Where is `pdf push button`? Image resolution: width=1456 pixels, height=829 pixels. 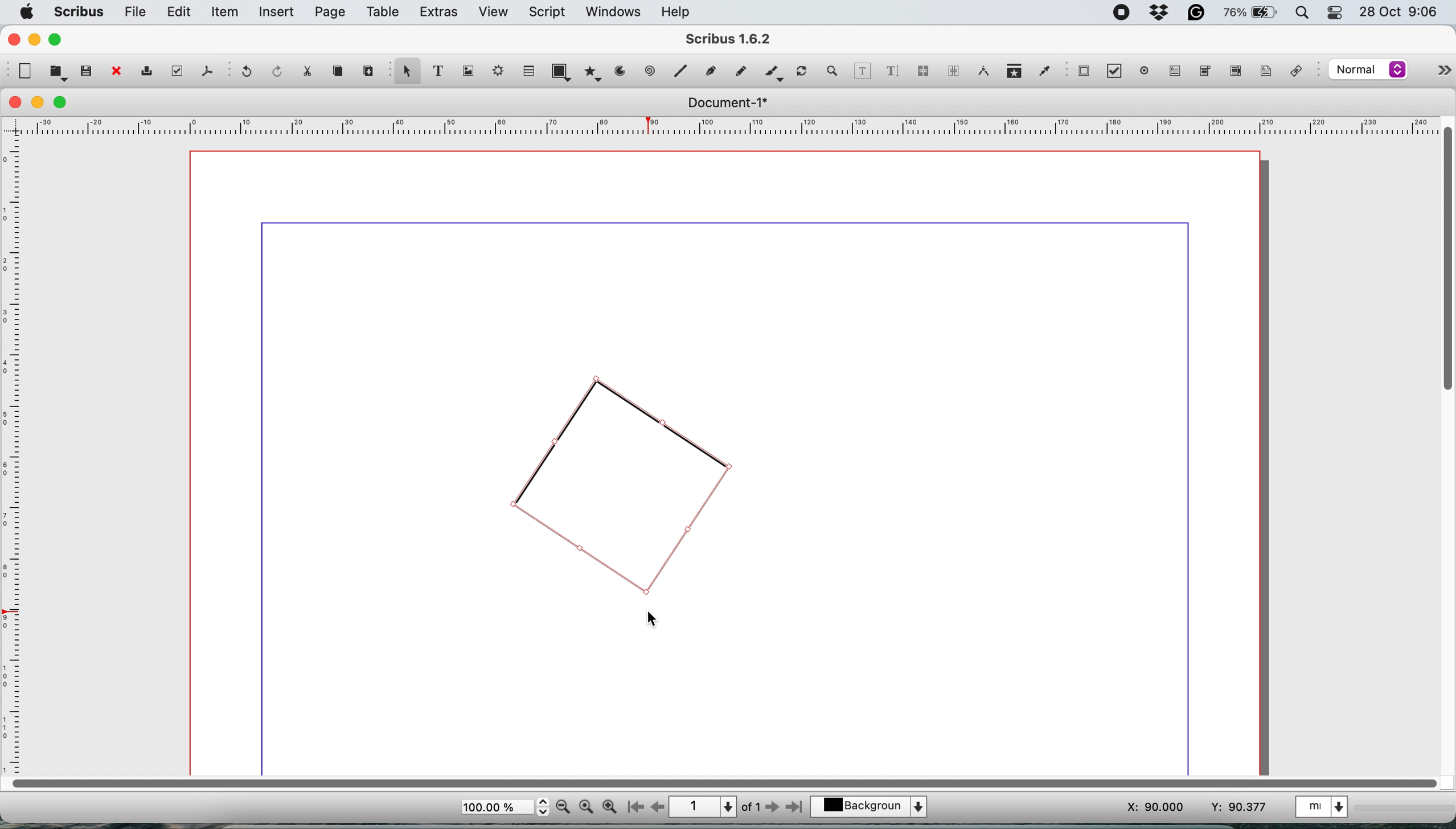 pdf push button is located at coordinates (1084, 72).